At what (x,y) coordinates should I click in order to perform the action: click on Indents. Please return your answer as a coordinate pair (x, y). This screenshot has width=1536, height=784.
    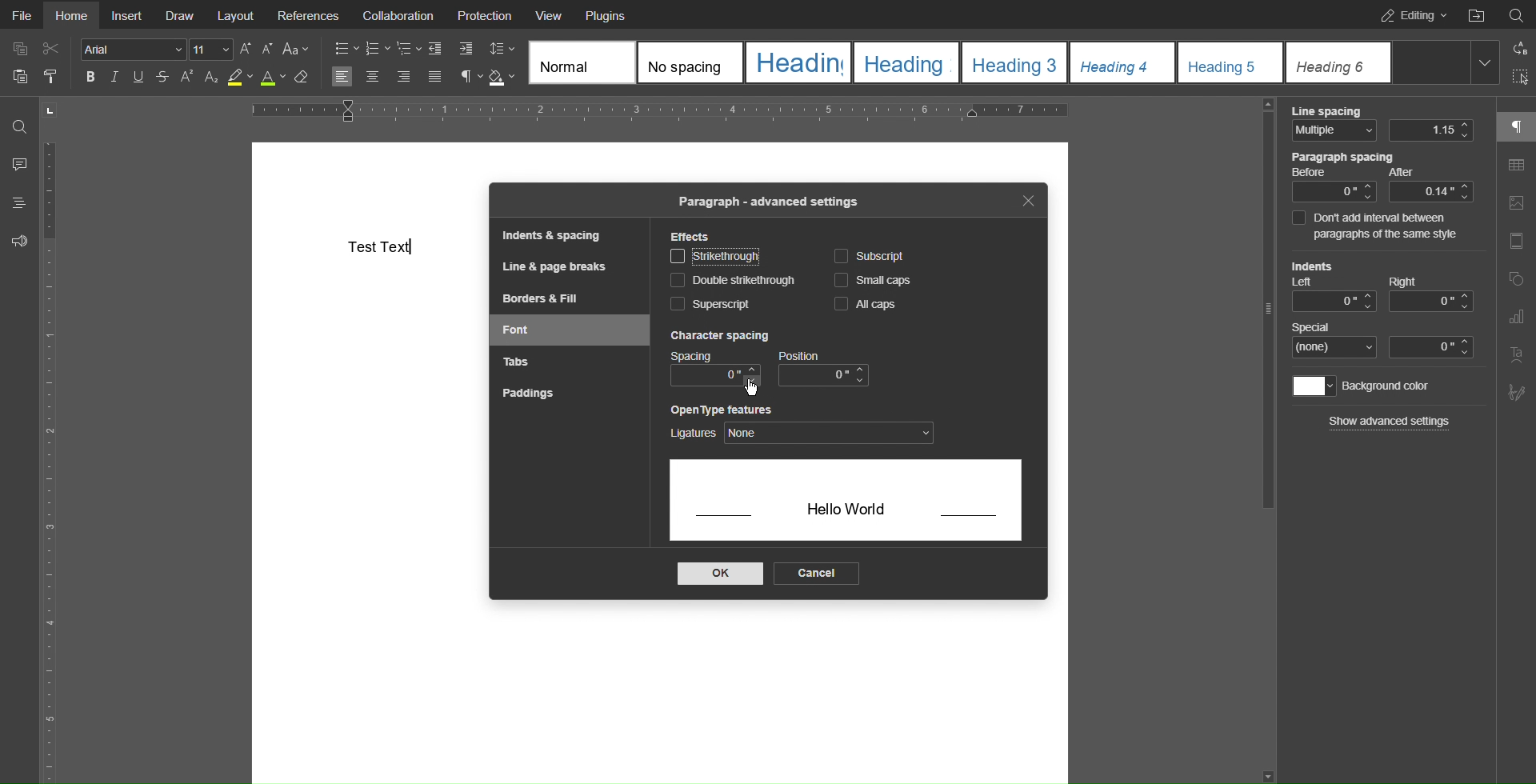
    Looking at the image, I should click on (1380, 286).